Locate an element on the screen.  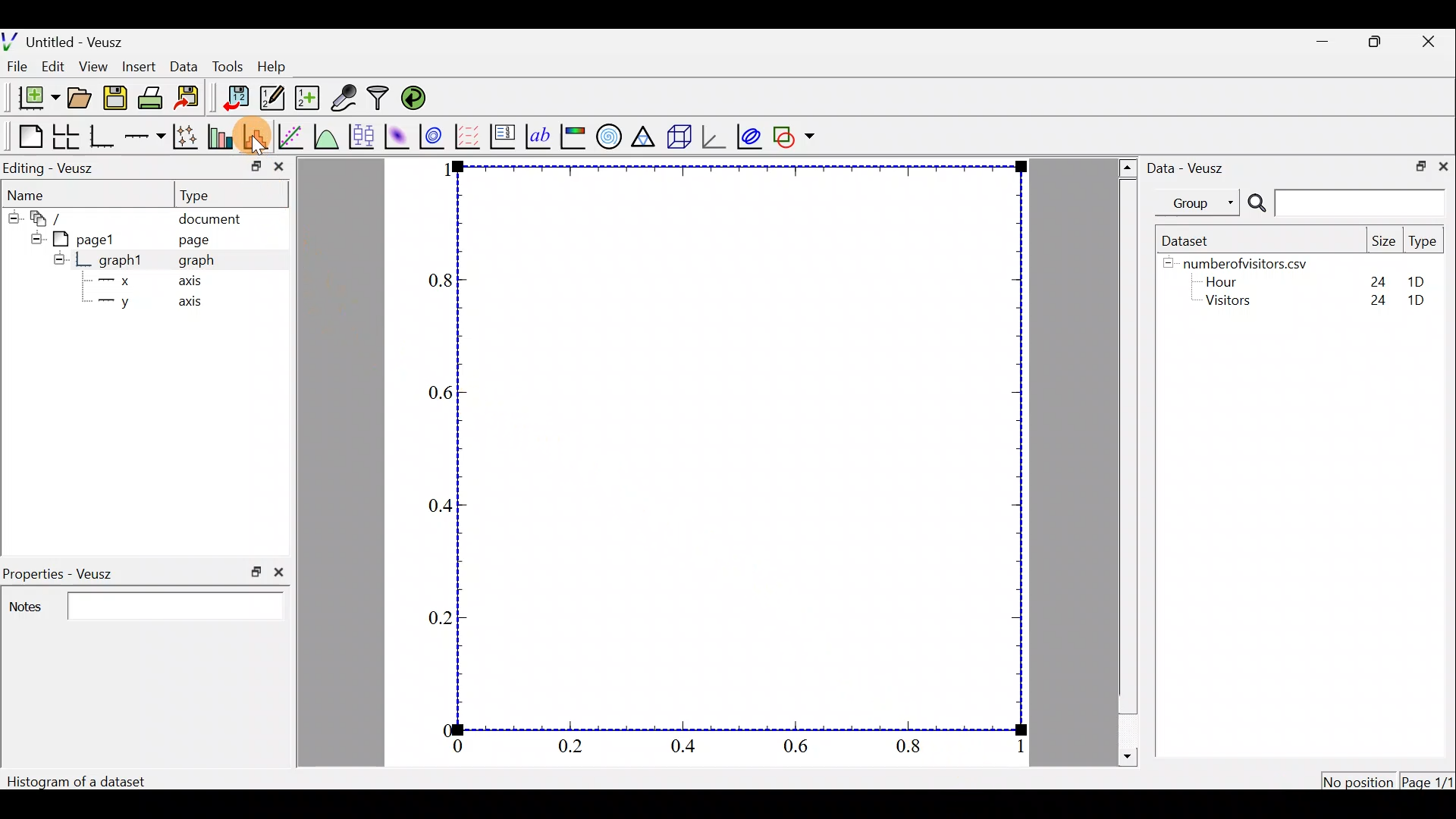
plot covariance ellipses is located at coordinates (747, 139).